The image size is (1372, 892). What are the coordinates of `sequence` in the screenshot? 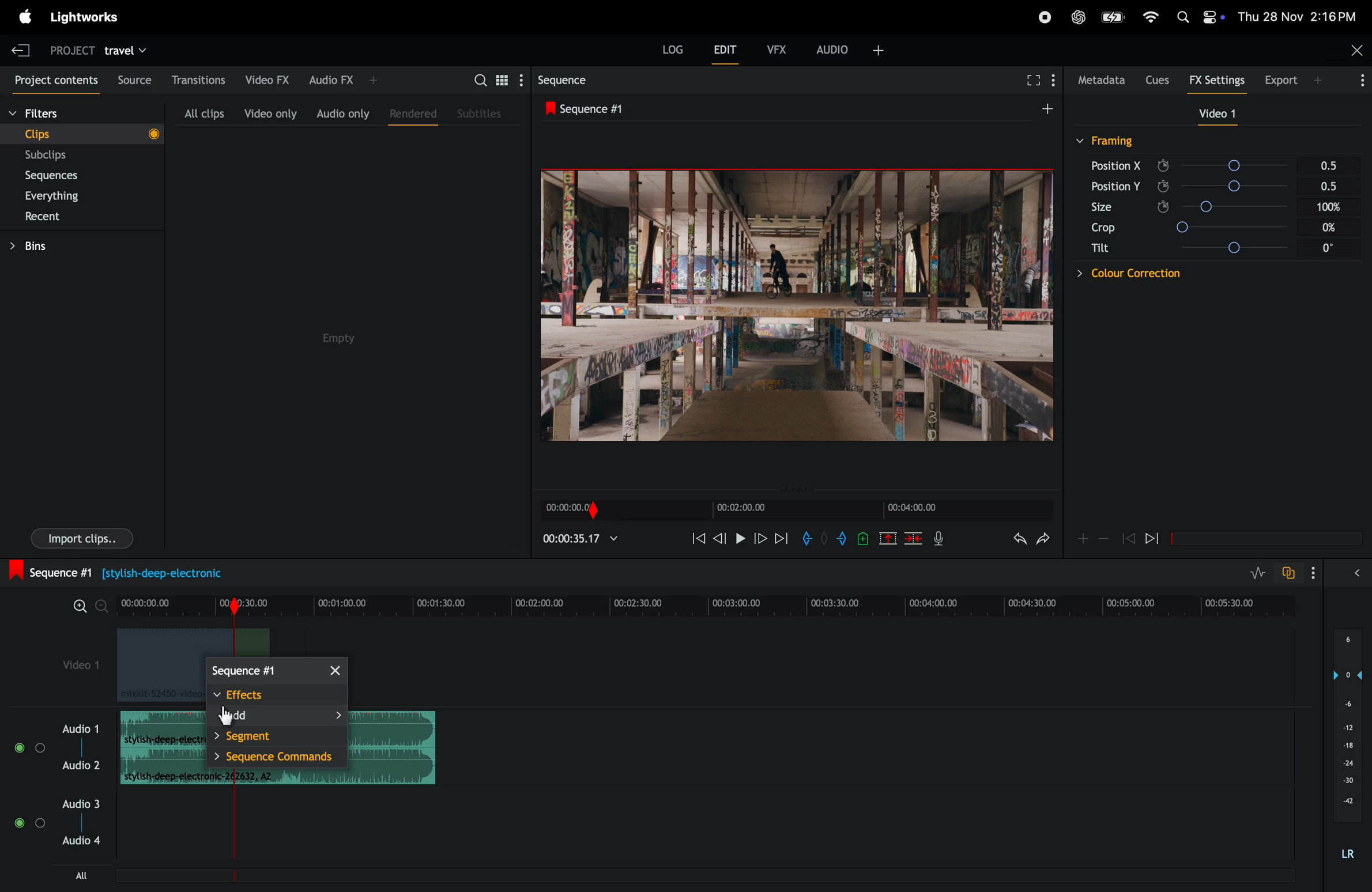 It's located at (276, 672).